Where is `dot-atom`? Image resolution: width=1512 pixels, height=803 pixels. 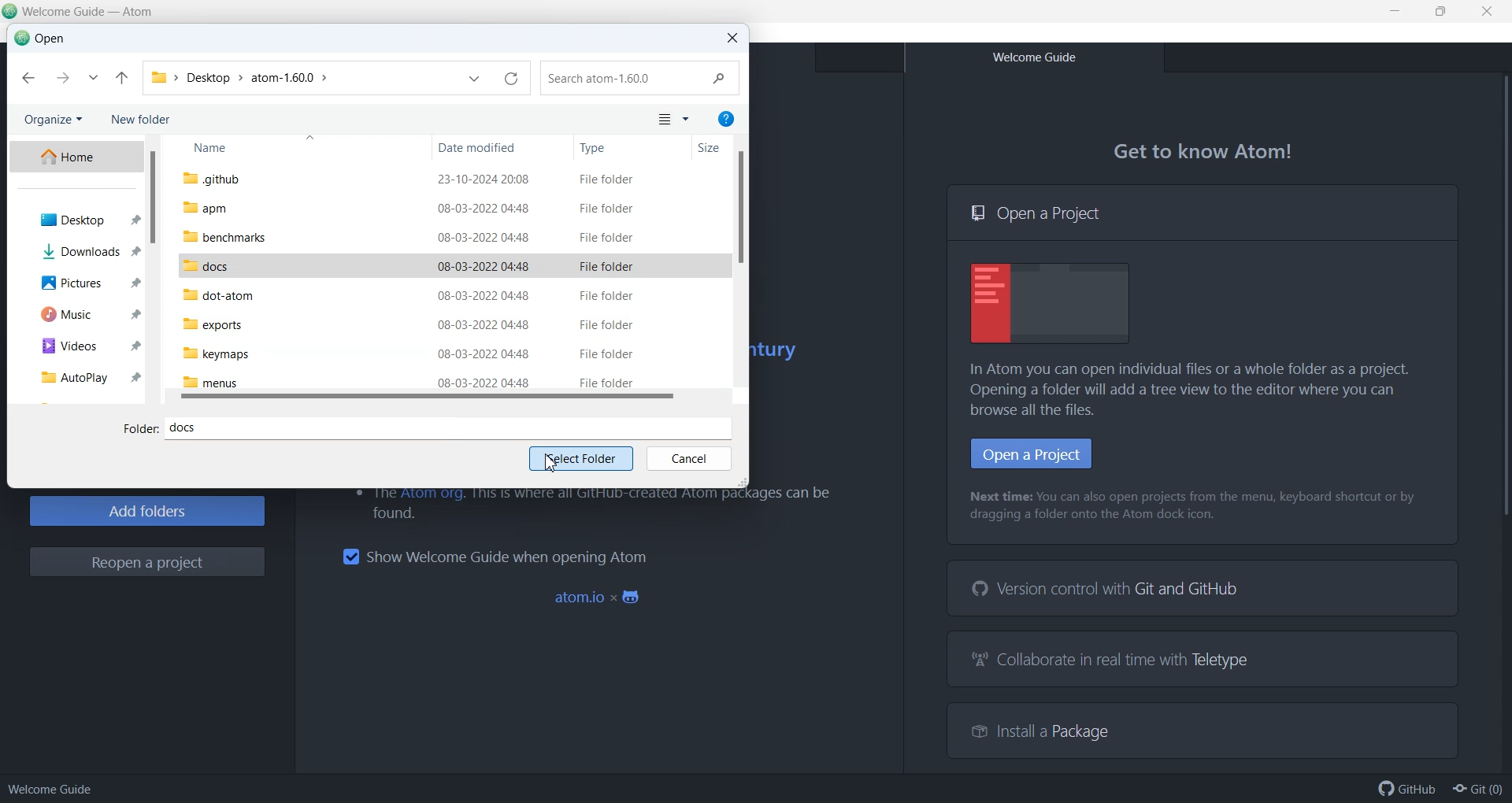 dot-atom is located at coordinates (220, 294).